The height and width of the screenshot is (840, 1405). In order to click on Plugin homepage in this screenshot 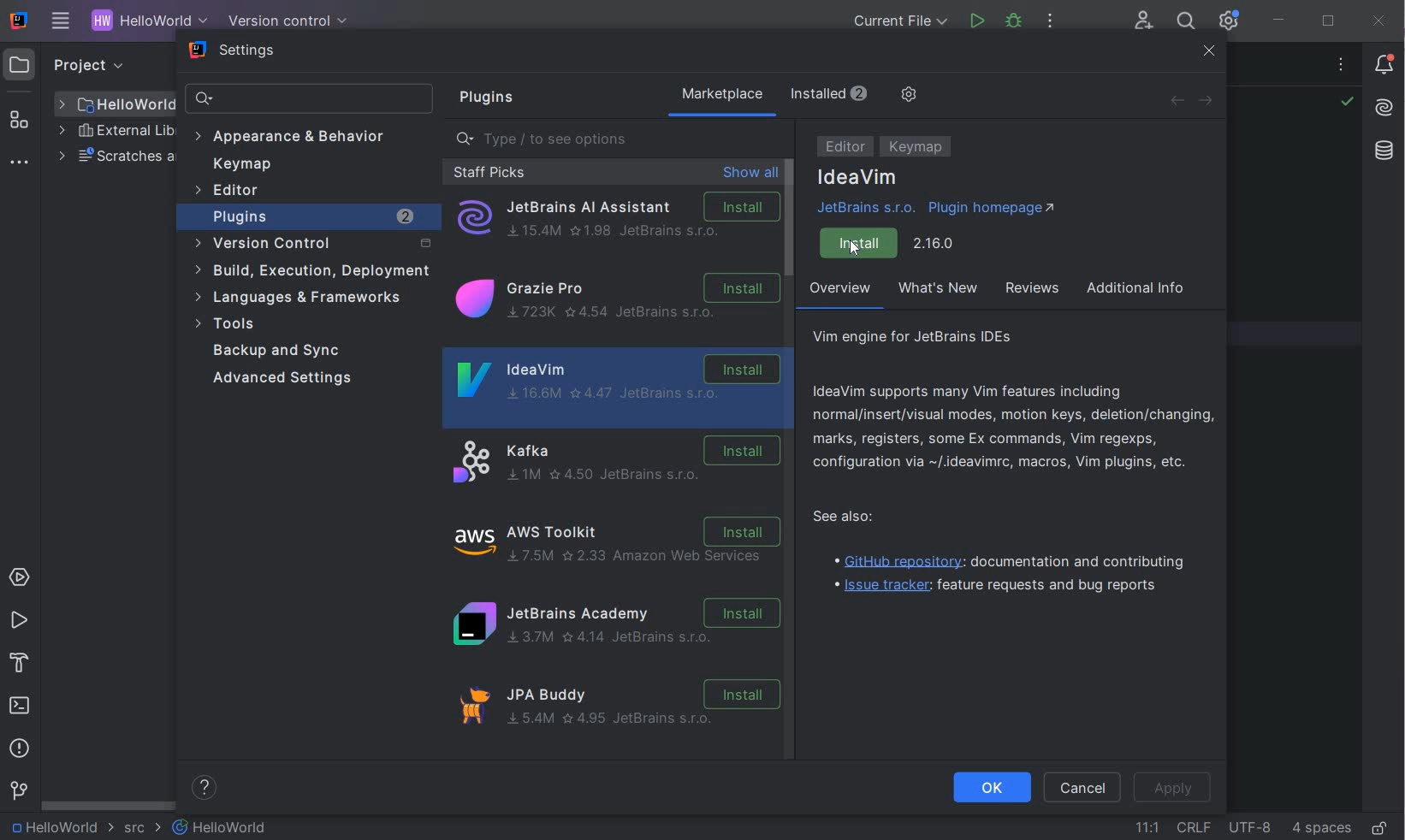, I will do `click(993, 206)`.